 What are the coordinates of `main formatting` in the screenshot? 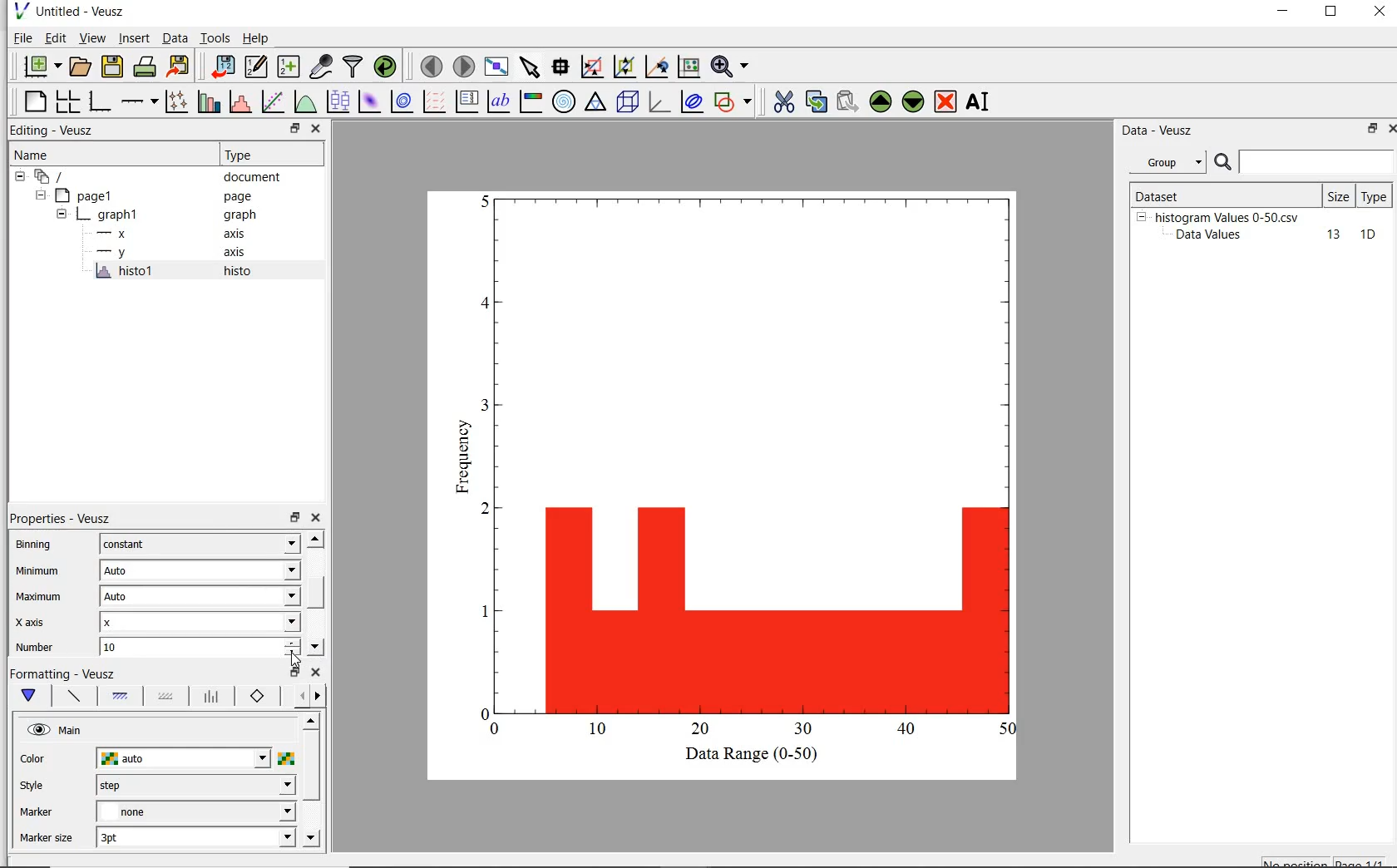 It's located at (32, 696).